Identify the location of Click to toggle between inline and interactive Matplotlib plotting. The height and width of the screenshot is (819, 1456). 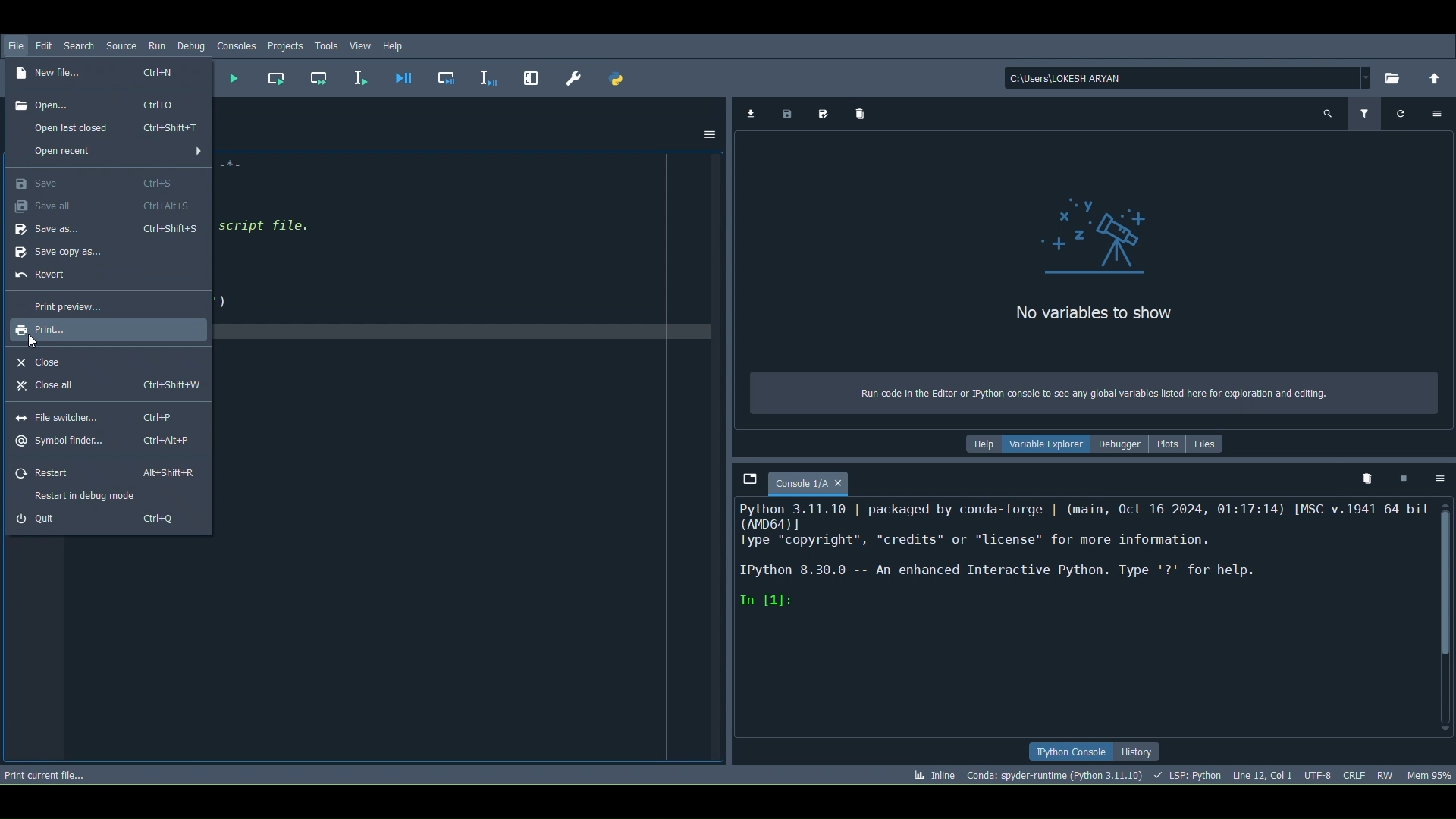
(932, 775).